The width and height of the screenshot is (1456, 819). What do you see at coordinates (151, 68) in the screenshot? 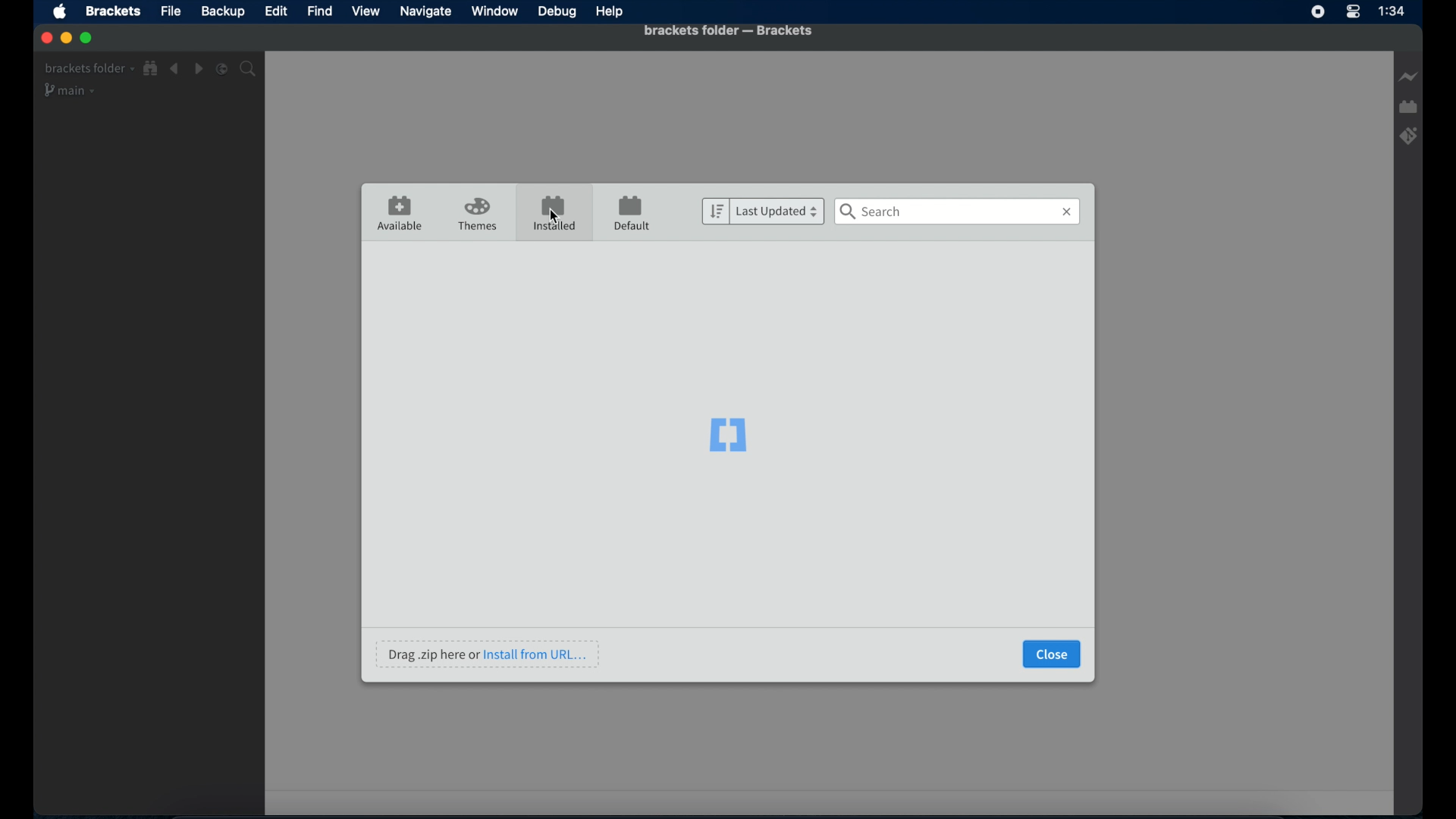
I see `Show fill-in tree` at bounding box center [151, 68].